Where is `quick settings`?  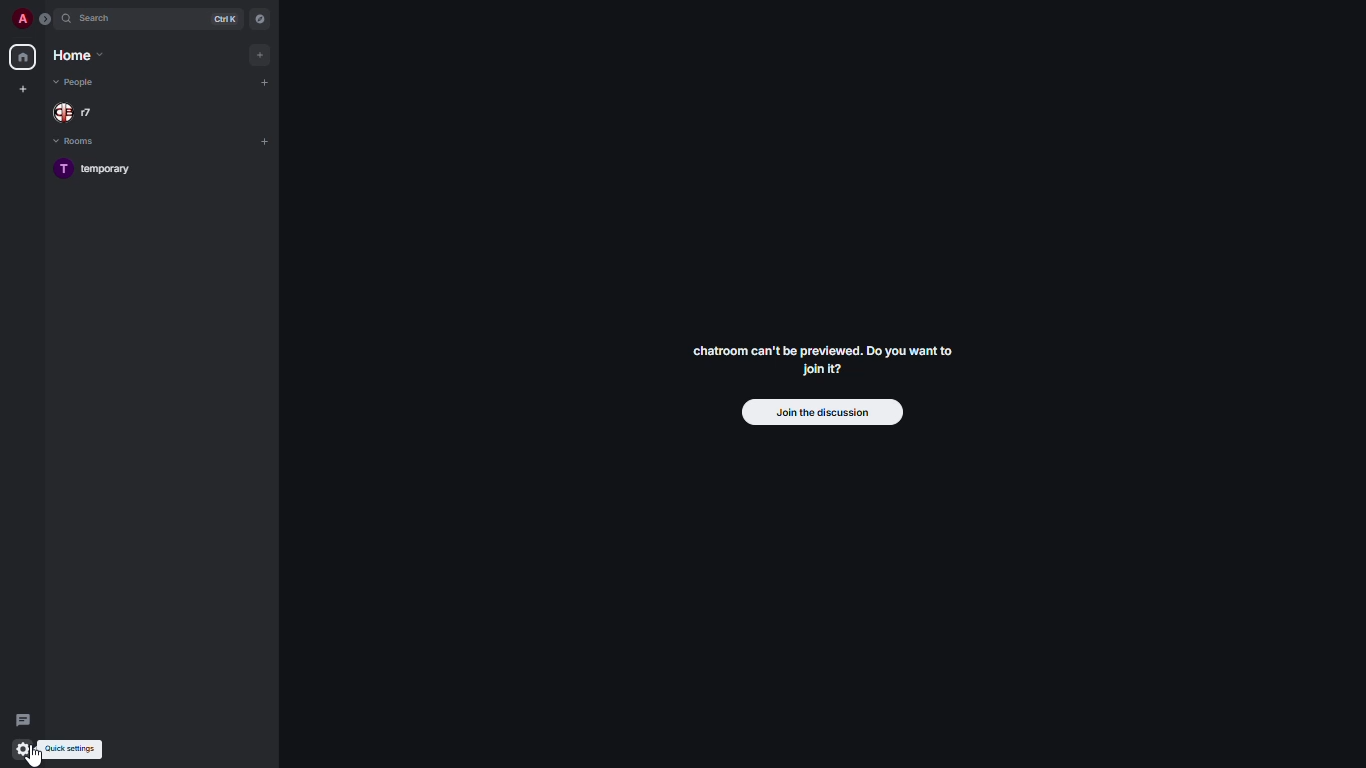
quick settings is located at coordinates (23, 750).